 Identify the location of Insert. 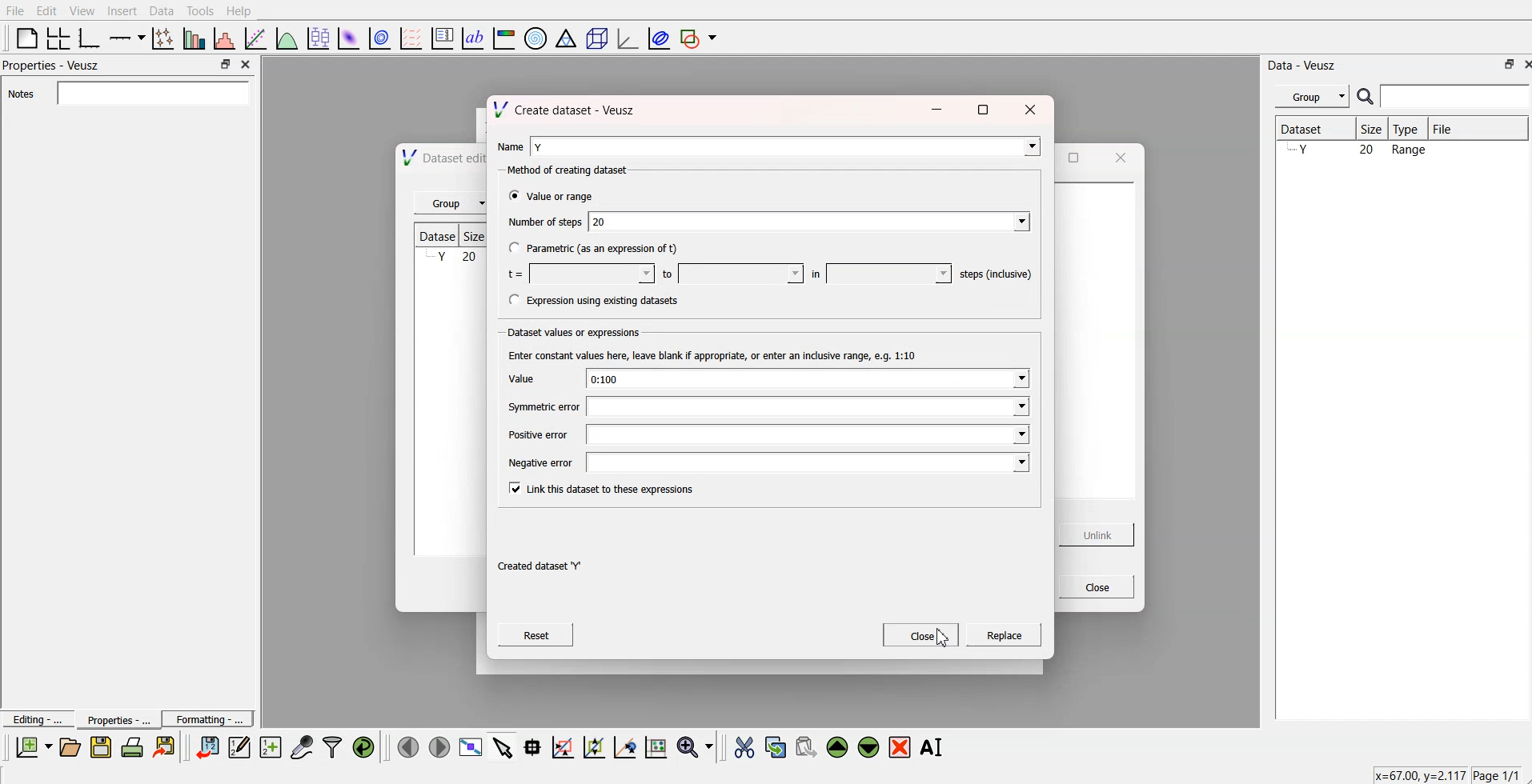
(120, 11).